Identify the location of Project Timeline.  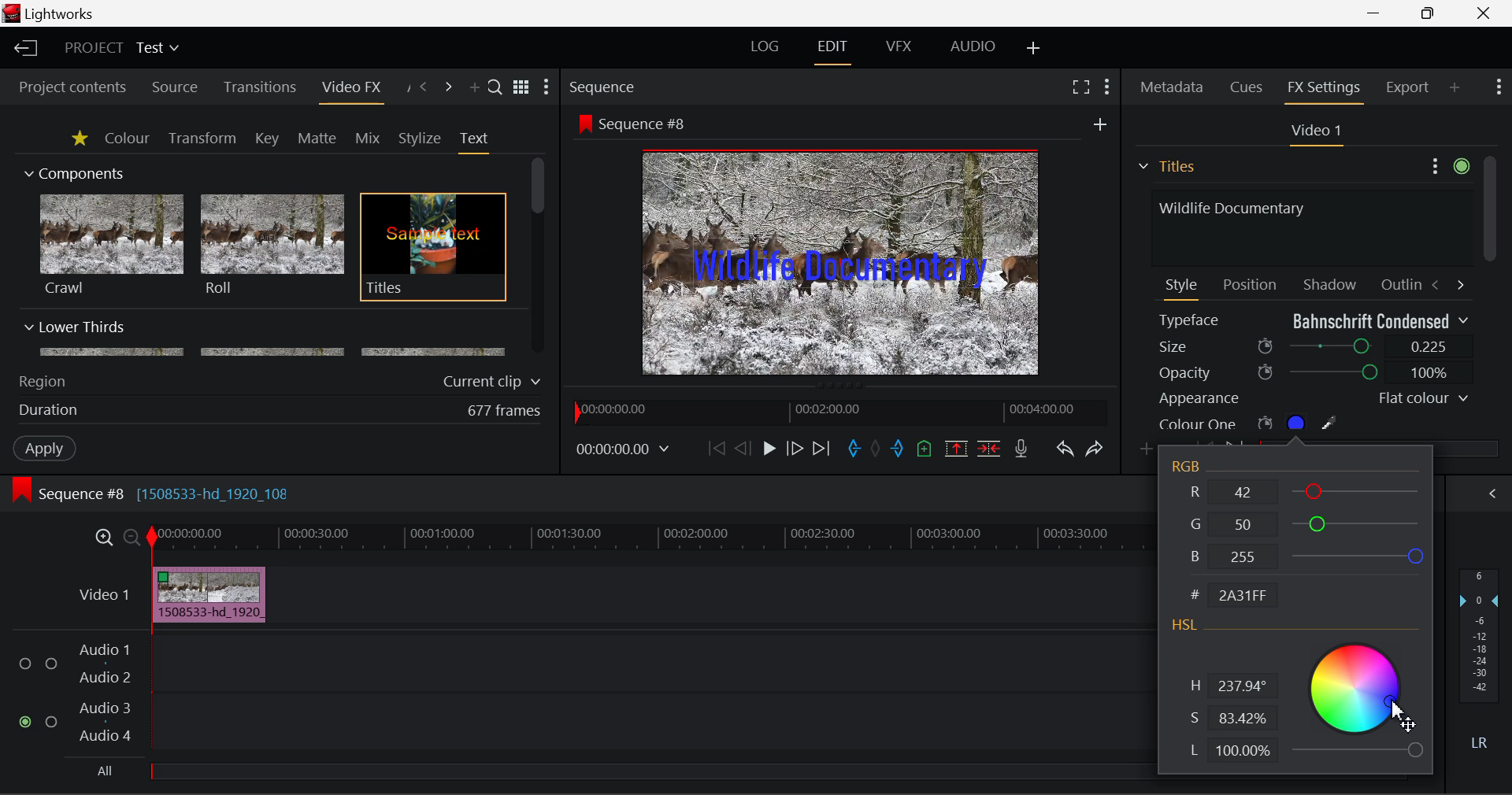
(649, 538).